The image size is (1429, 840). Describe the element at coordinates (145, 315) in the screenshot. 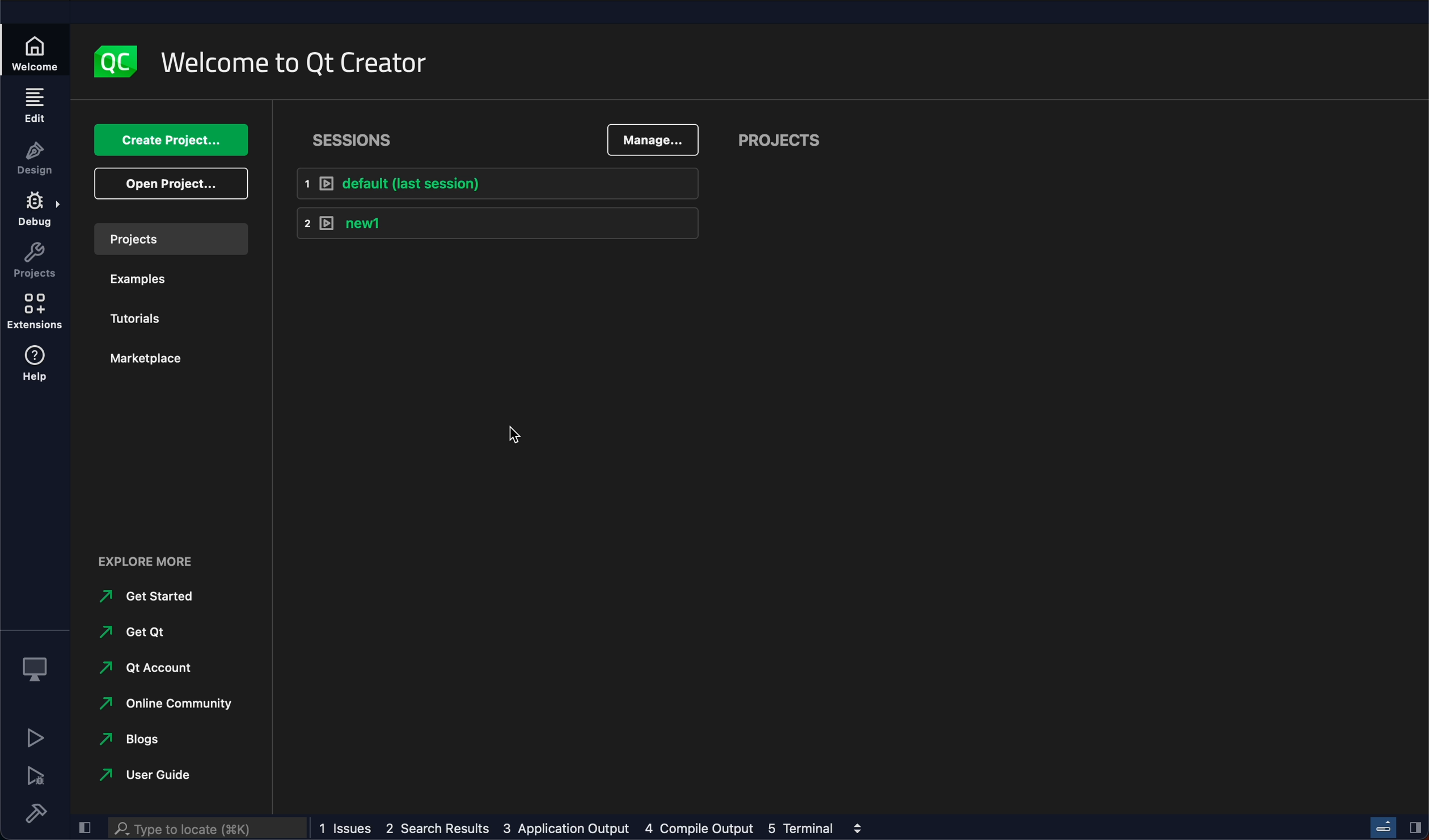

I see `tutorials` at that location.